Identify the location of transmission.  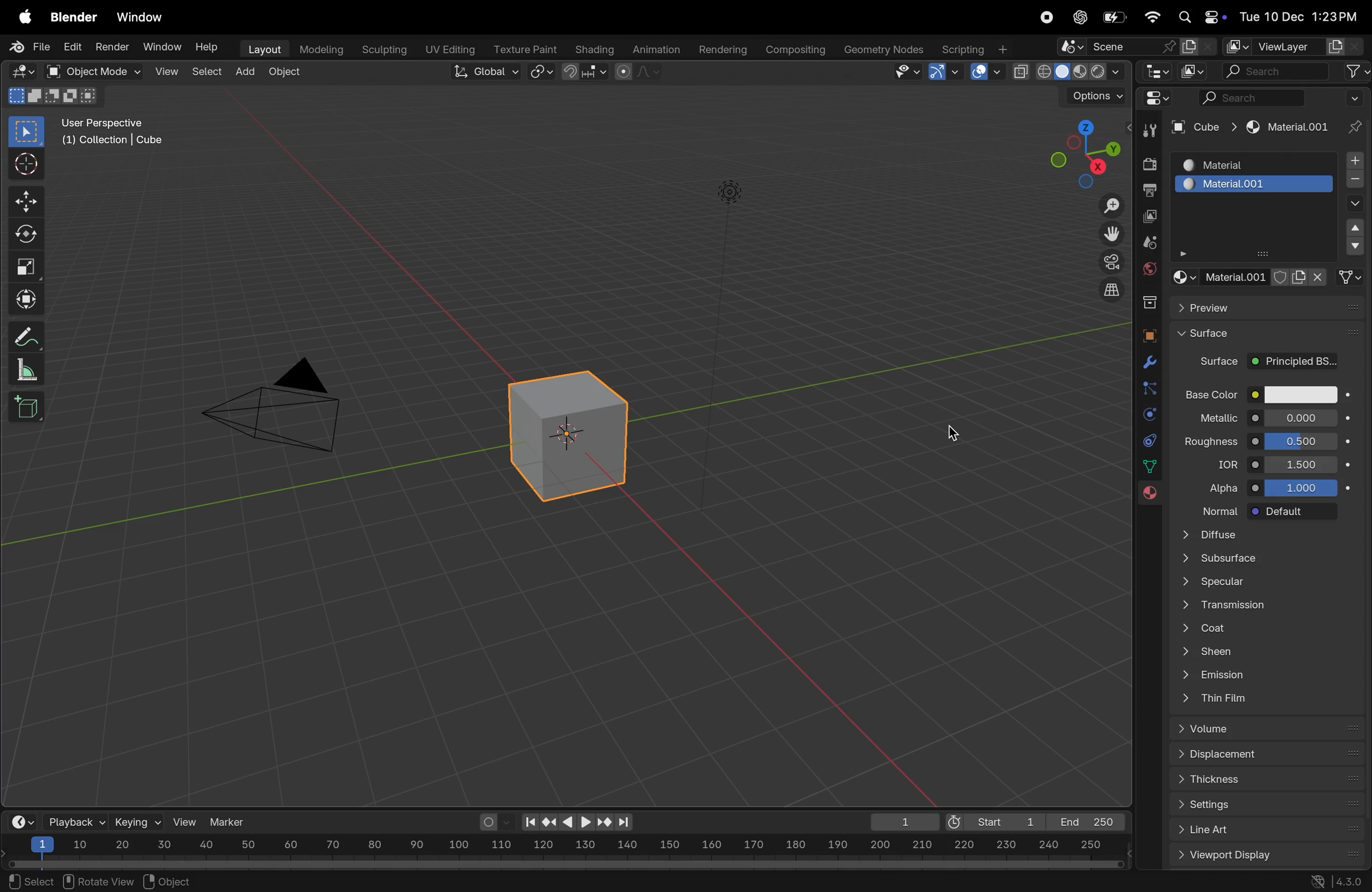
(1265, 604).